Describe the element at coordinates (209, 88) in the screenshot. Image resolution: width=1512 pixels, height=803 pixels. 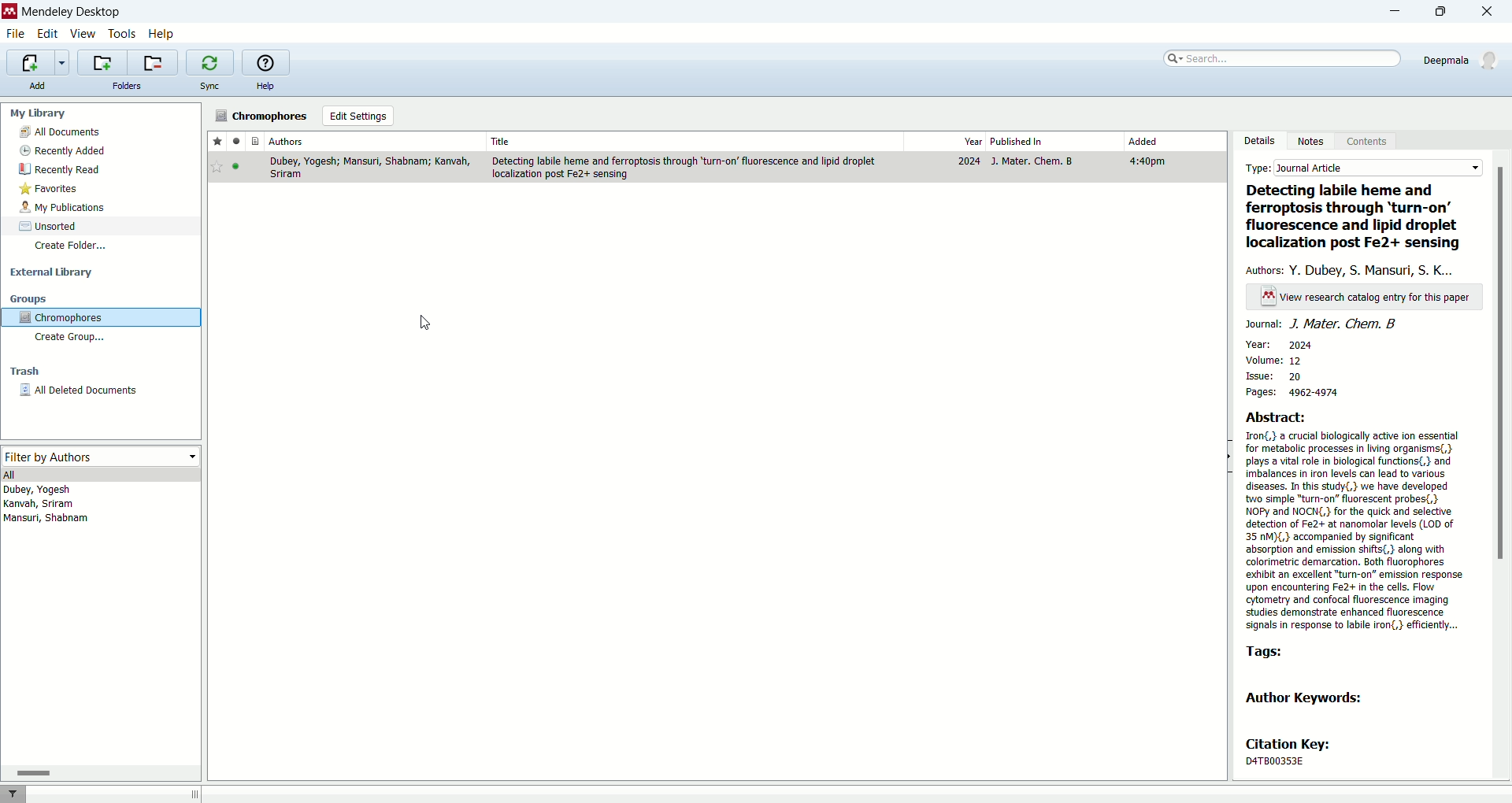
I see `sync` at that location.